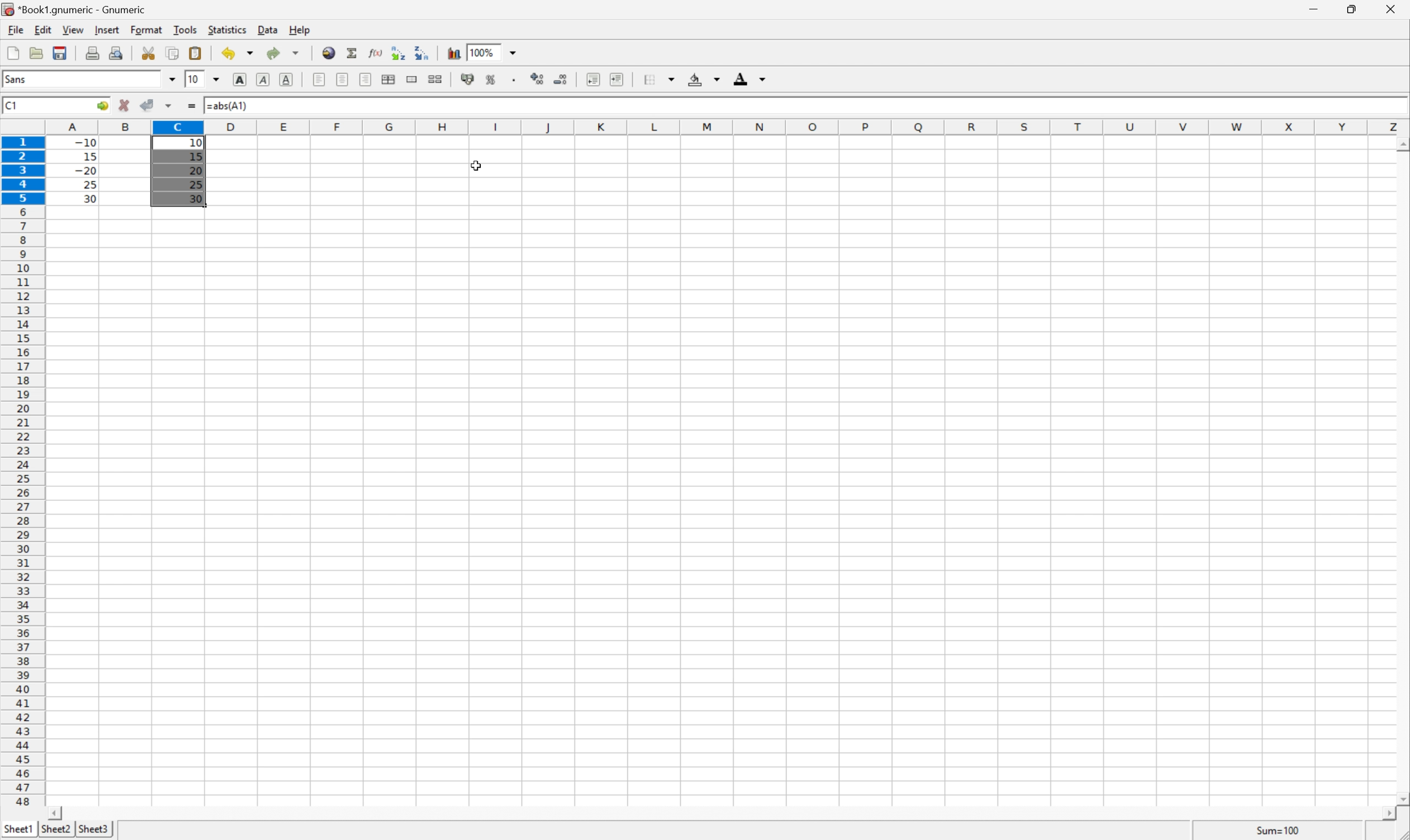 The image size is (1410, 840). What do you see at coordinates (390, 80) in the screenshot?
I see `center horizontally across the selection` at bounding box center [390, 80].